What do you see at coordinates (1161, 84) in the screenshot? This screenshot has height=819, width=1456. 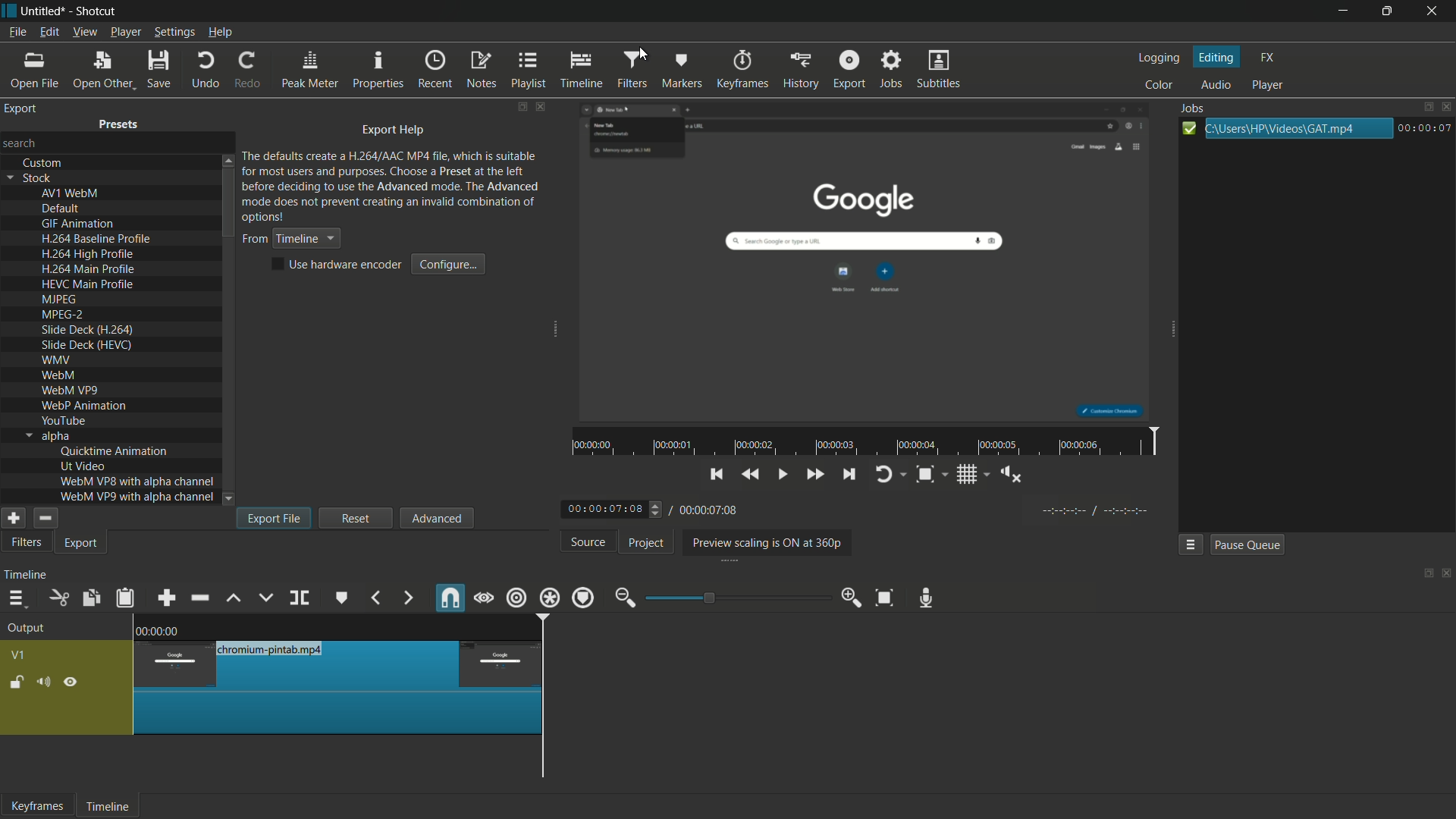 I see `color` at bounding box center [1161, 84].